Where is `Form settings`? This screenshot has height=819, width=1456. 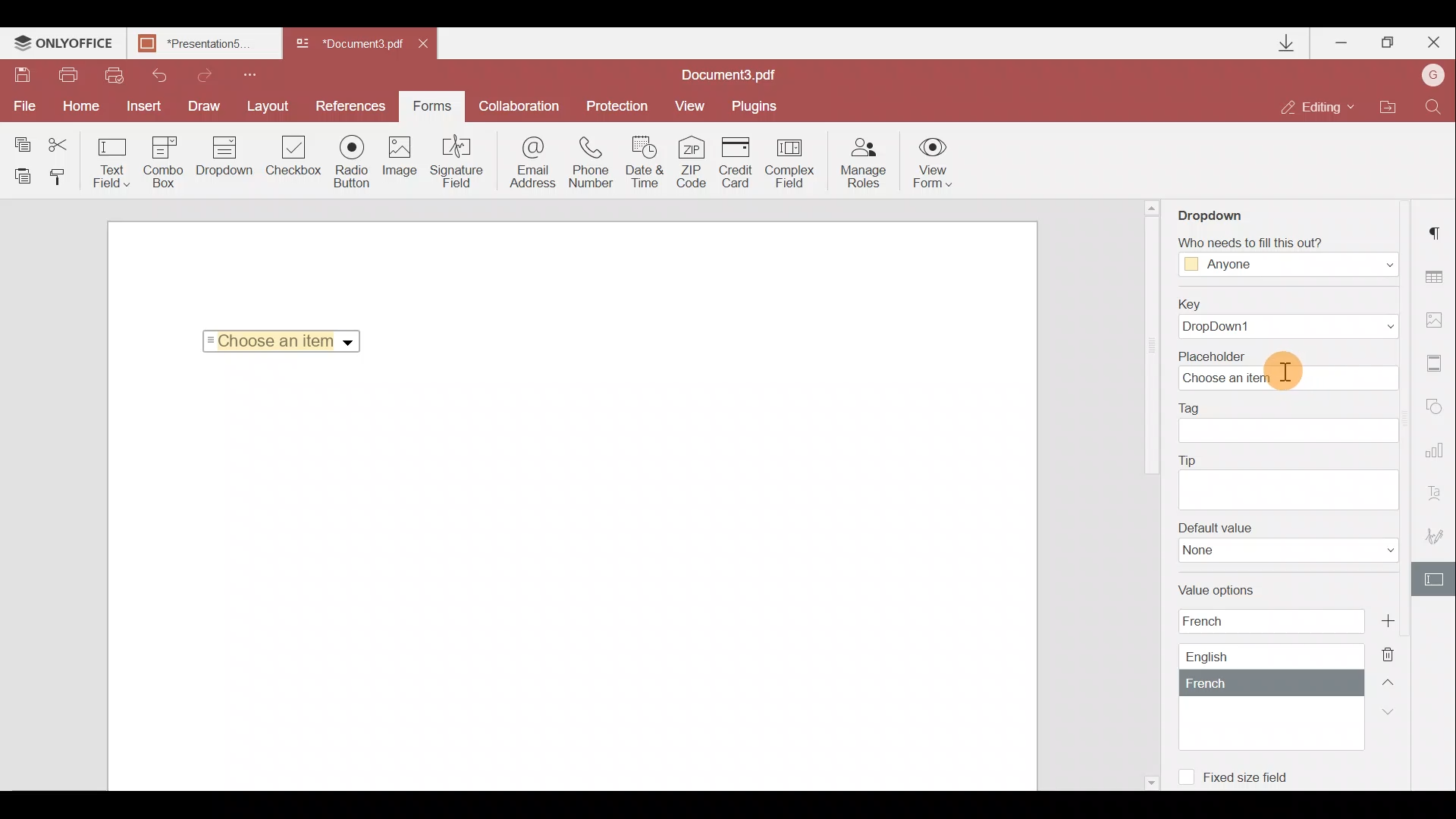 Form settings is located at coordinates (1436, 579).